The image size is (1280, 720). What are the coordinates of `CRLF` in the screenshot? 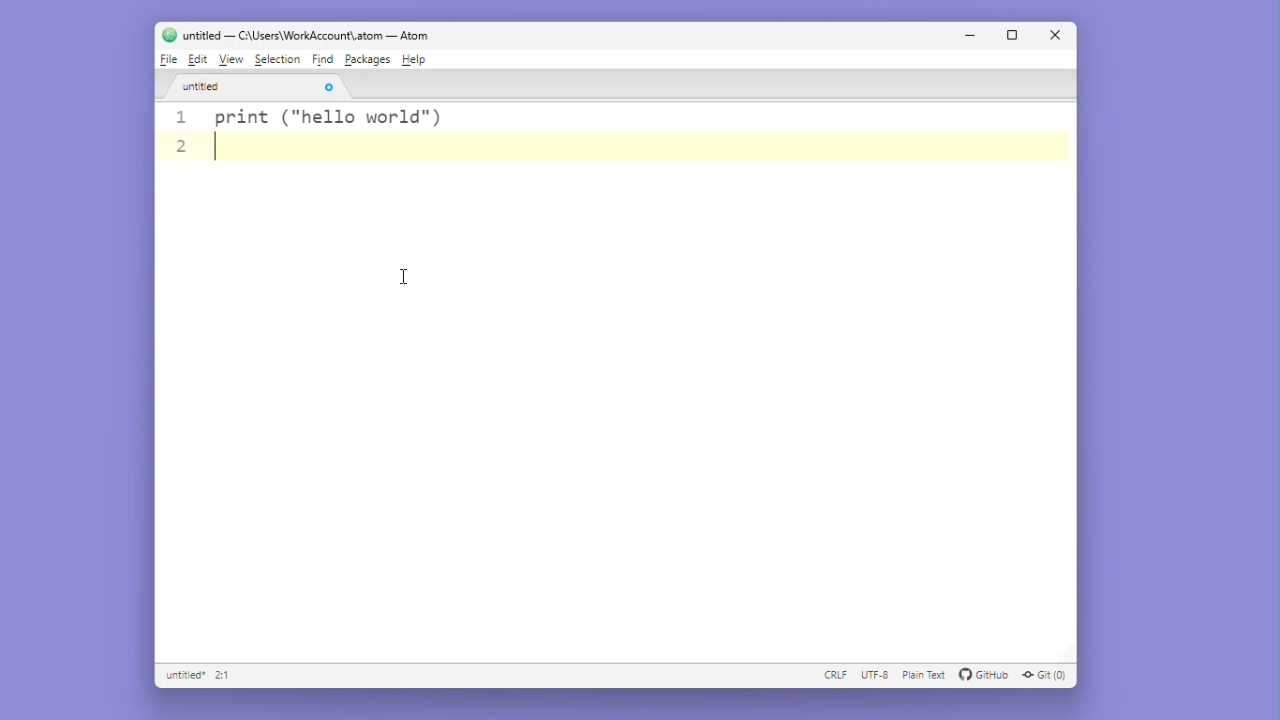 It's located at (837, 676).